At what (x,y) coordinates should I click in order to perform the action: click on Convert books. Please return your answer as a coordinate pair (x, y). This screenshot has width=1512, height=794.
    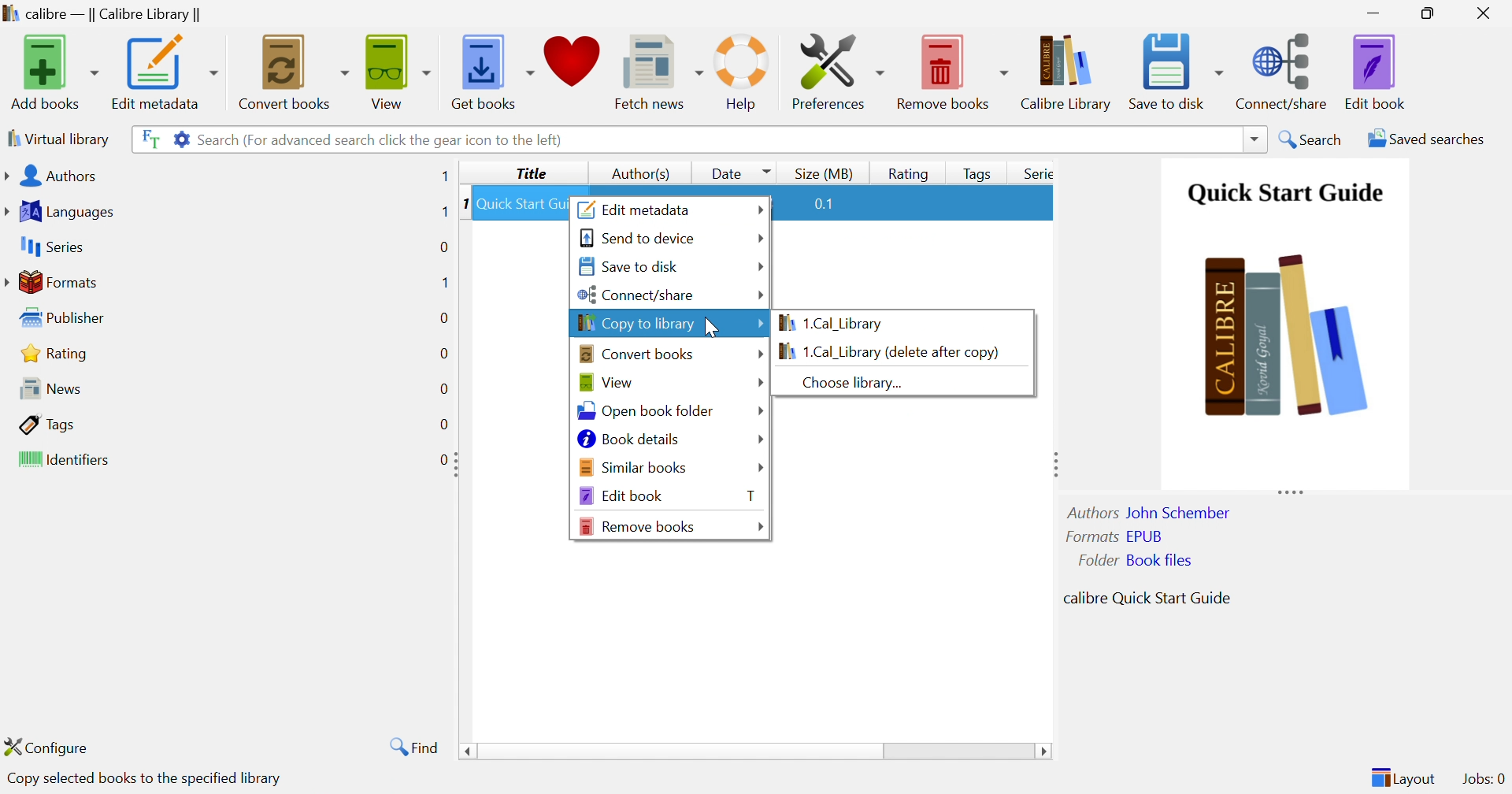
    Looking at the image, I should click on (293, 70).